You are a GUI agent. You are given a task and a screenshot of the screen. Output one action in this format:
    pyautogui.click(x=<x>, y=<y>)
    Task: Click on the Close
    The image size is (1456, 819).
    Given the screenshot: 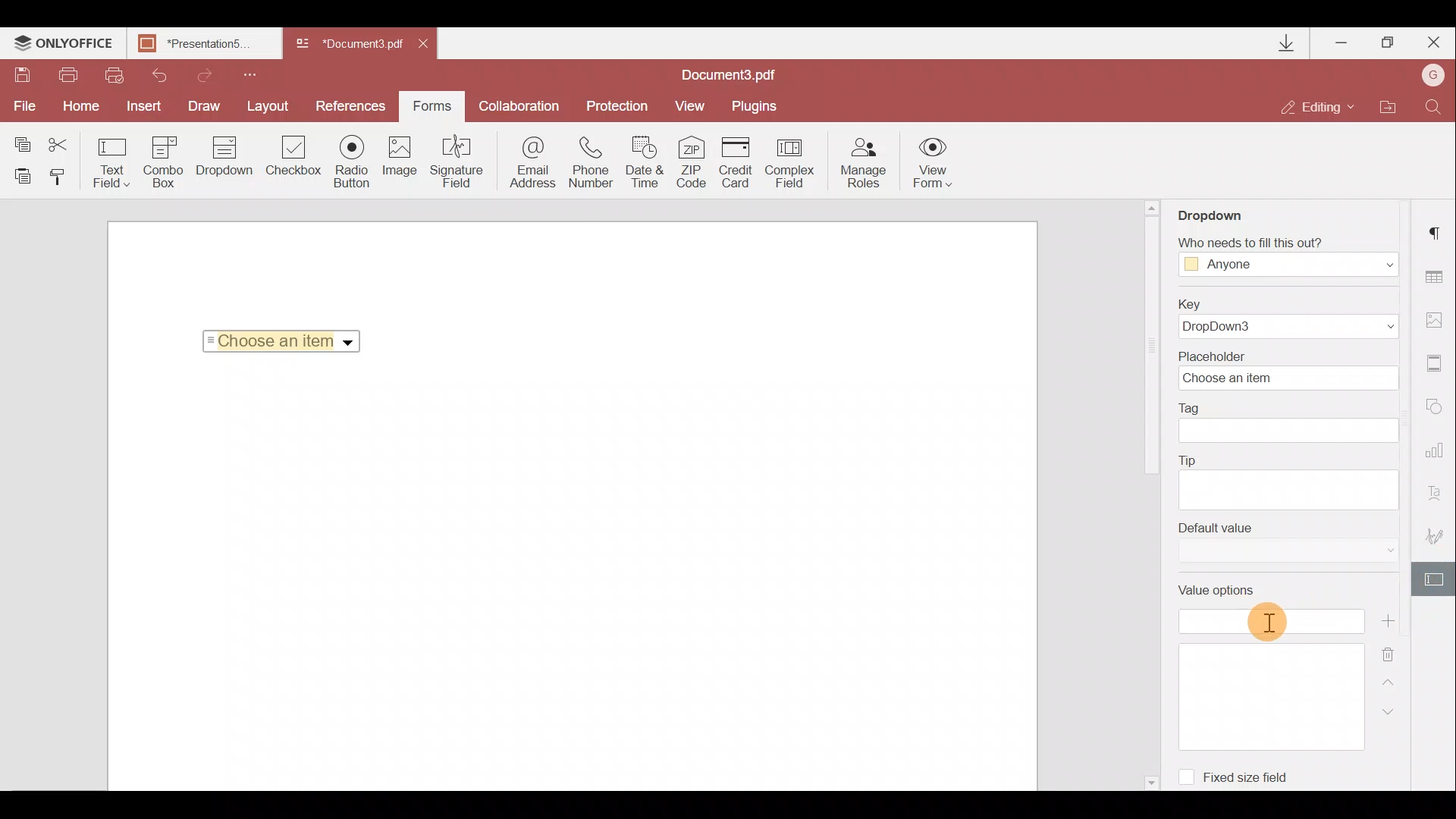 What is the action you would take?
    pyautogui.click(x=431, y=47)
    